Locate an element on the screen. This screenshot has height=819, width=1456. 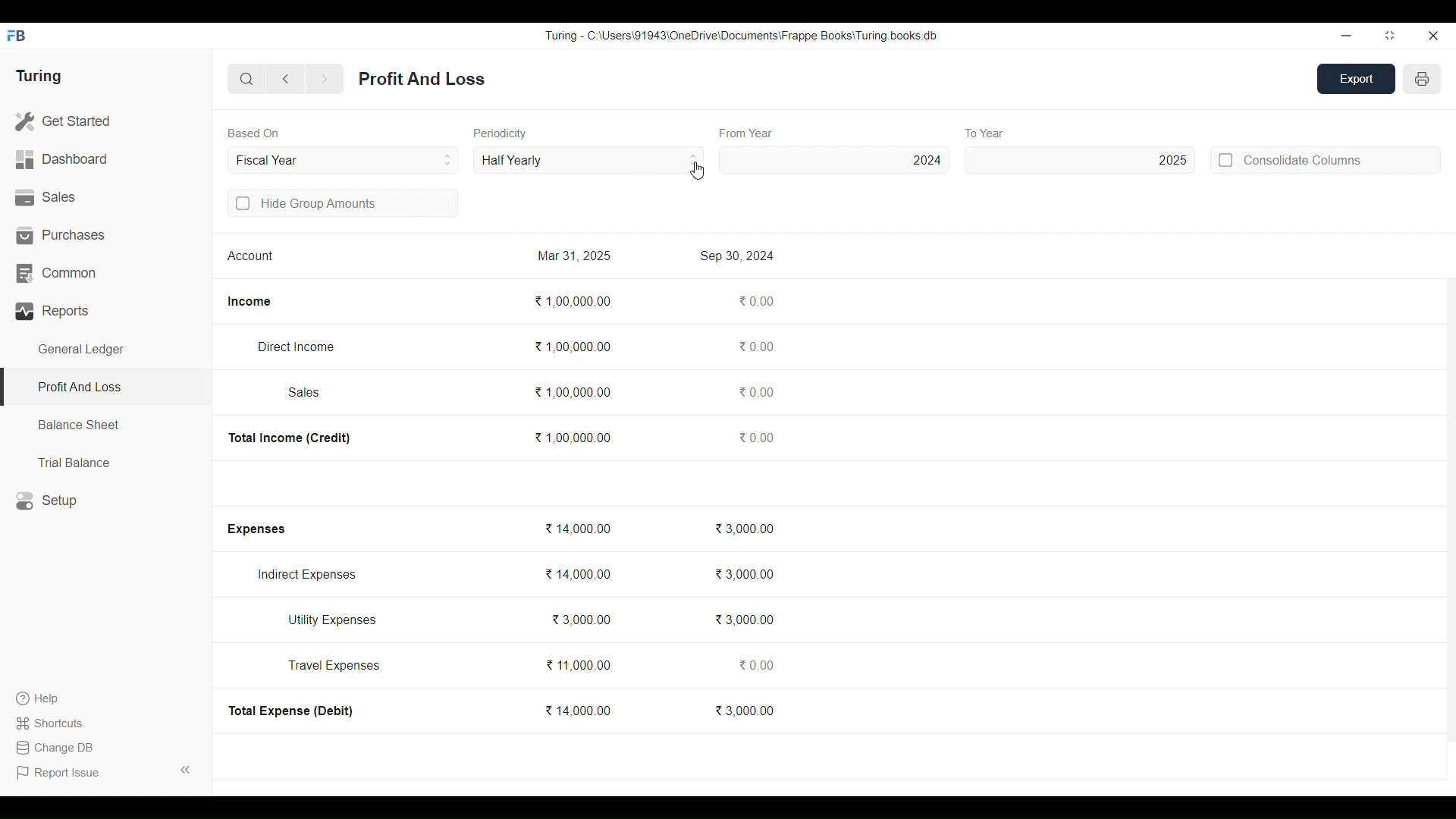
Income is located at coordinates (249, 302).